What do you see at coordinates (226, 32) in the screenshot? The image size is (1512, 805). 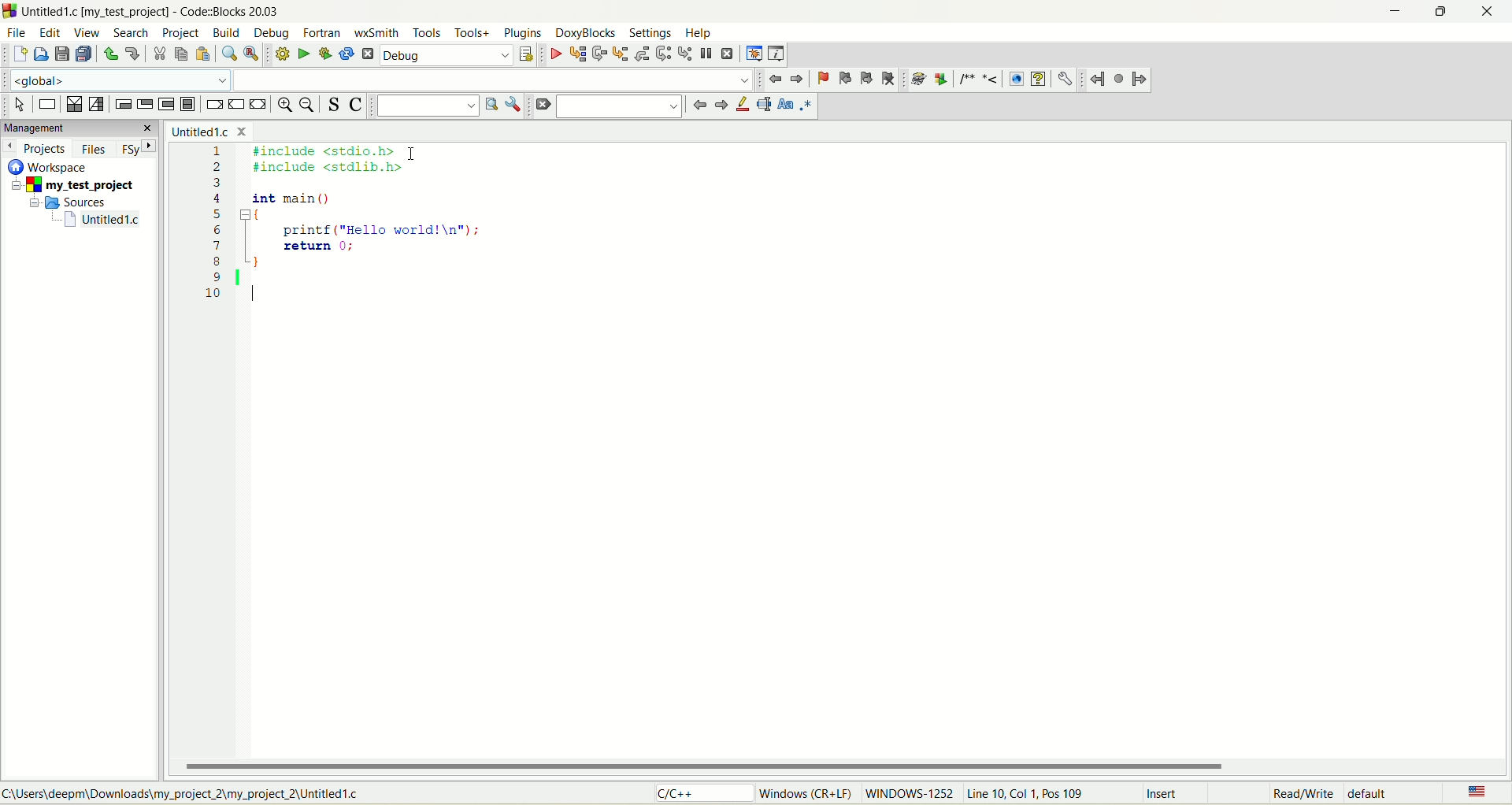 I see `build` at bounding box center [226, 32].